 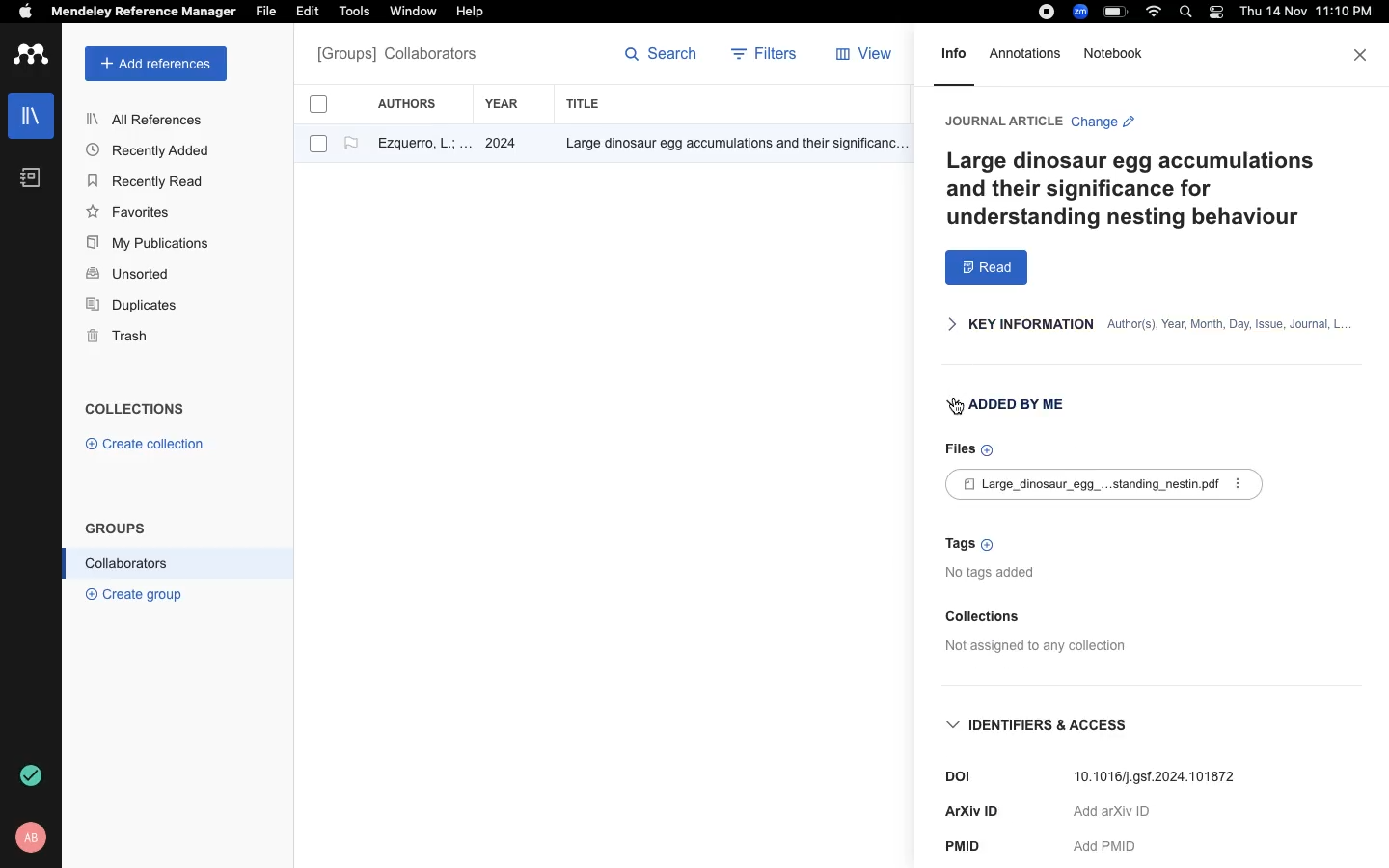 I want to click on Unsorted, so click(x=130, y=275).